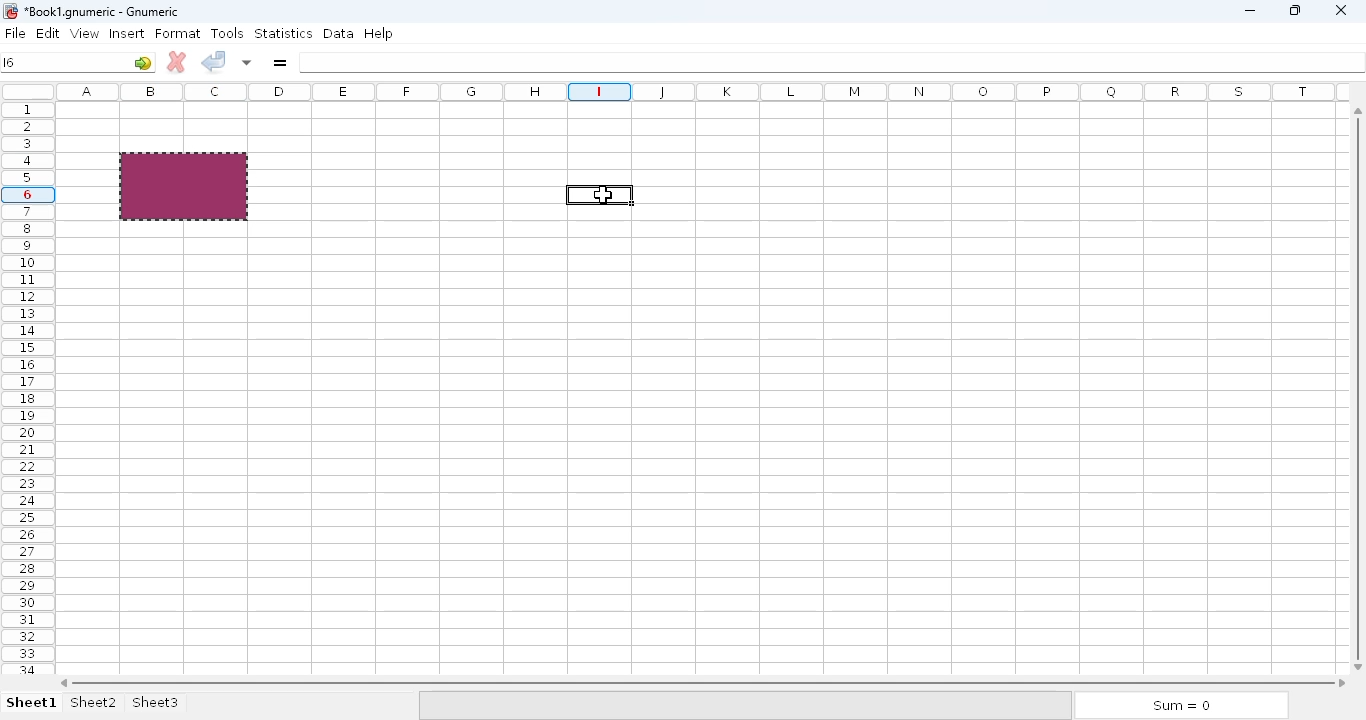 The width and height of the screenshot is (1366, 720). What do you see at coordinates (1250, 11) in the screenshot?
I see `minimize` at bounding box center [1250, 11].